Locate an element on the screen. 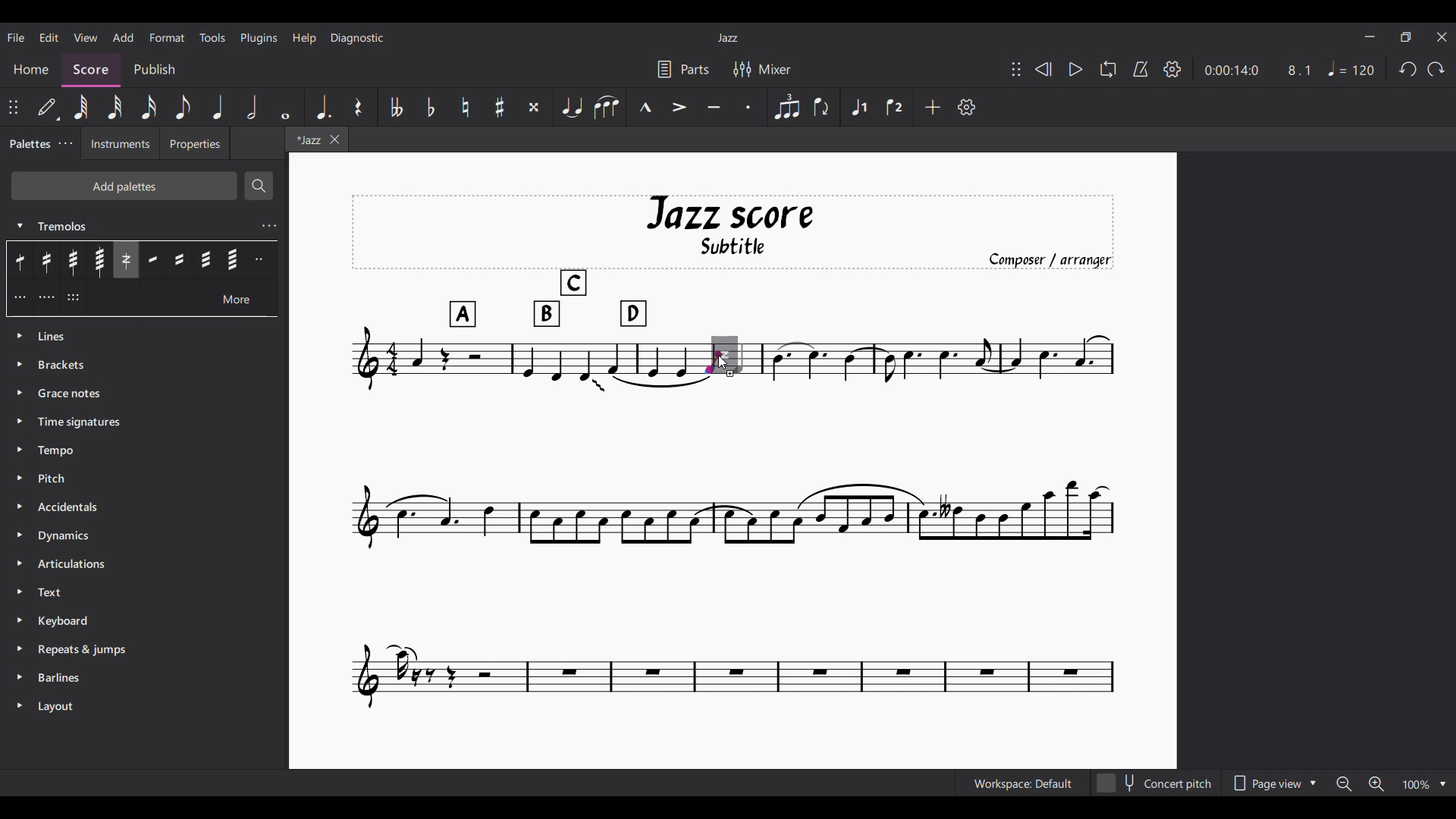 The image size is (1456, 819). Help is located at coordinates (305, 39).